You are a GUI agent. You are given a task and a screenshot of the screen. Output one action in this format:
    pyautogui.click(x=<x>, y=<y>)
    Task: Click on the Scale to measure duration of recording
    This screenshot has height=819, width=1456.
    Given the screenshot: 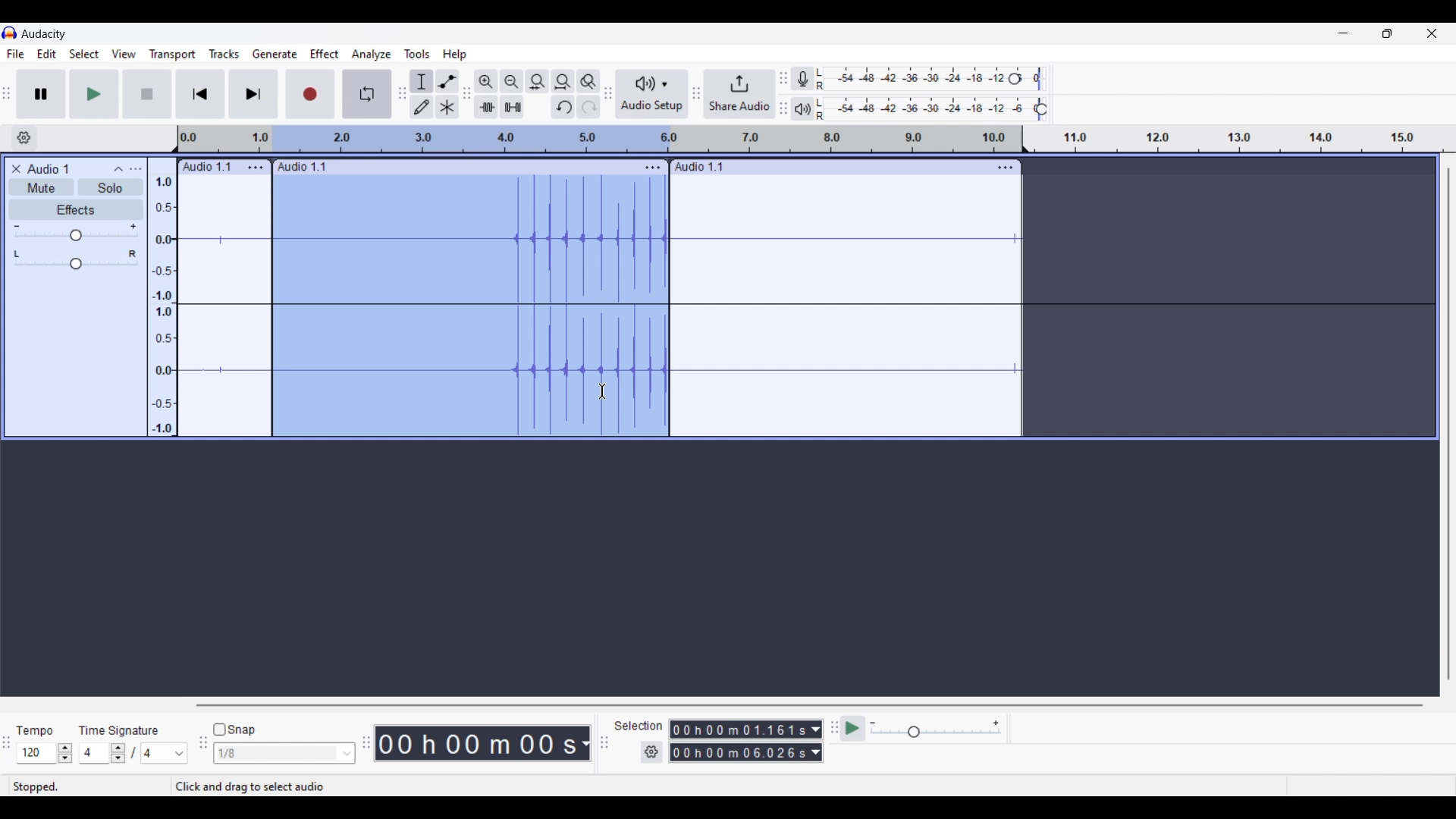 What is the action you would take?
    pyautogui.click(x=1246, y=139)
    